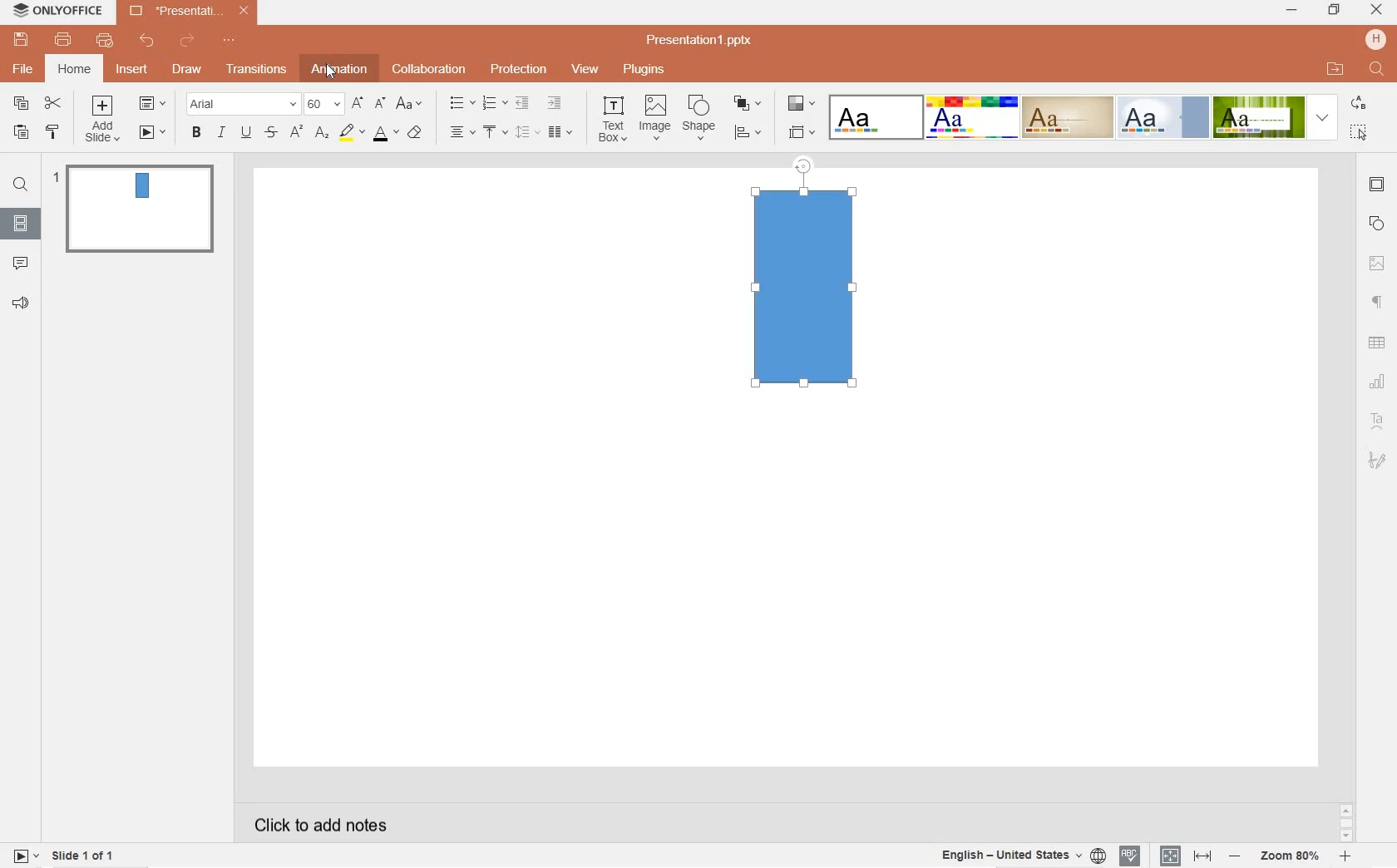 The width and height of the screenshot is (1397, 868). I want to click on animation, so click(340, 70).